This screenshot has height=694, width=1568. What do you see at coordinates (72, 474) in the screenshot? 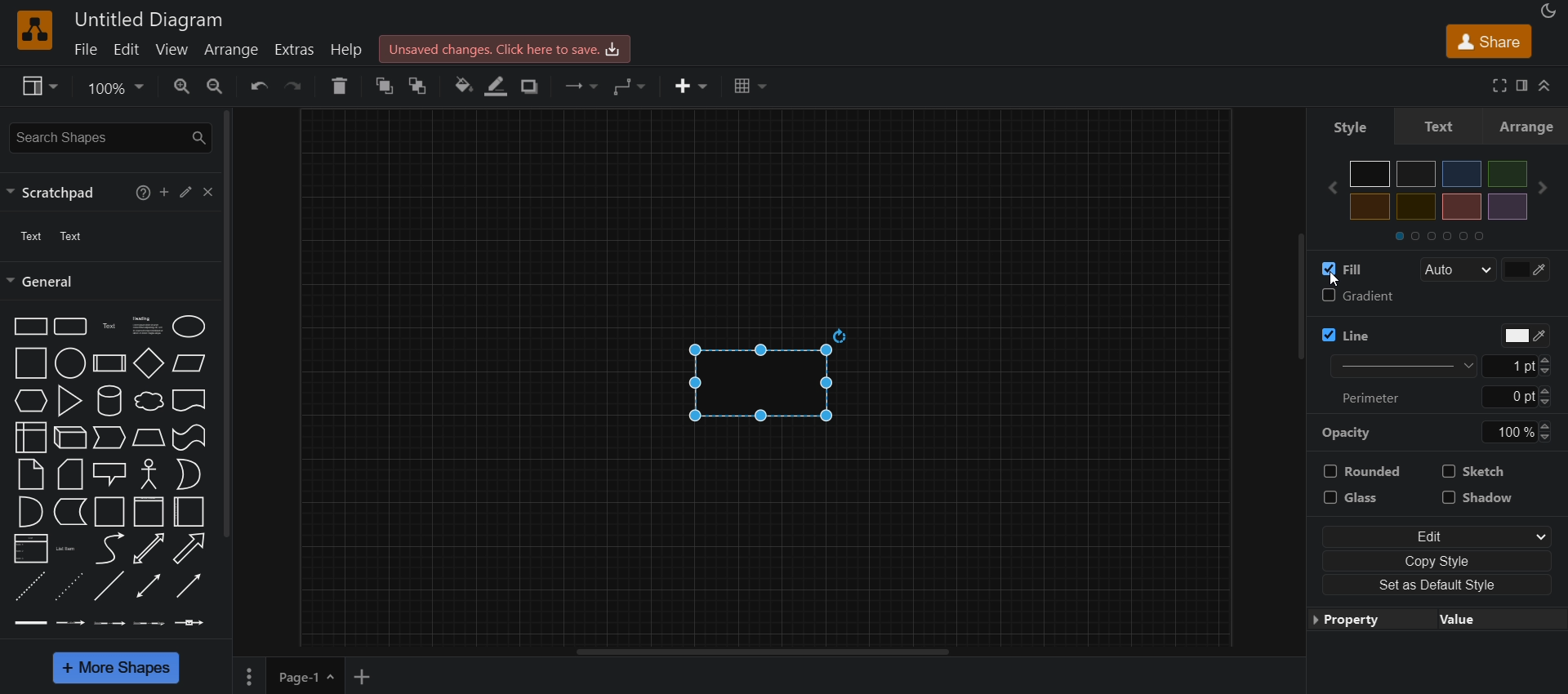
I see `card` at bounding box center [72, 474].